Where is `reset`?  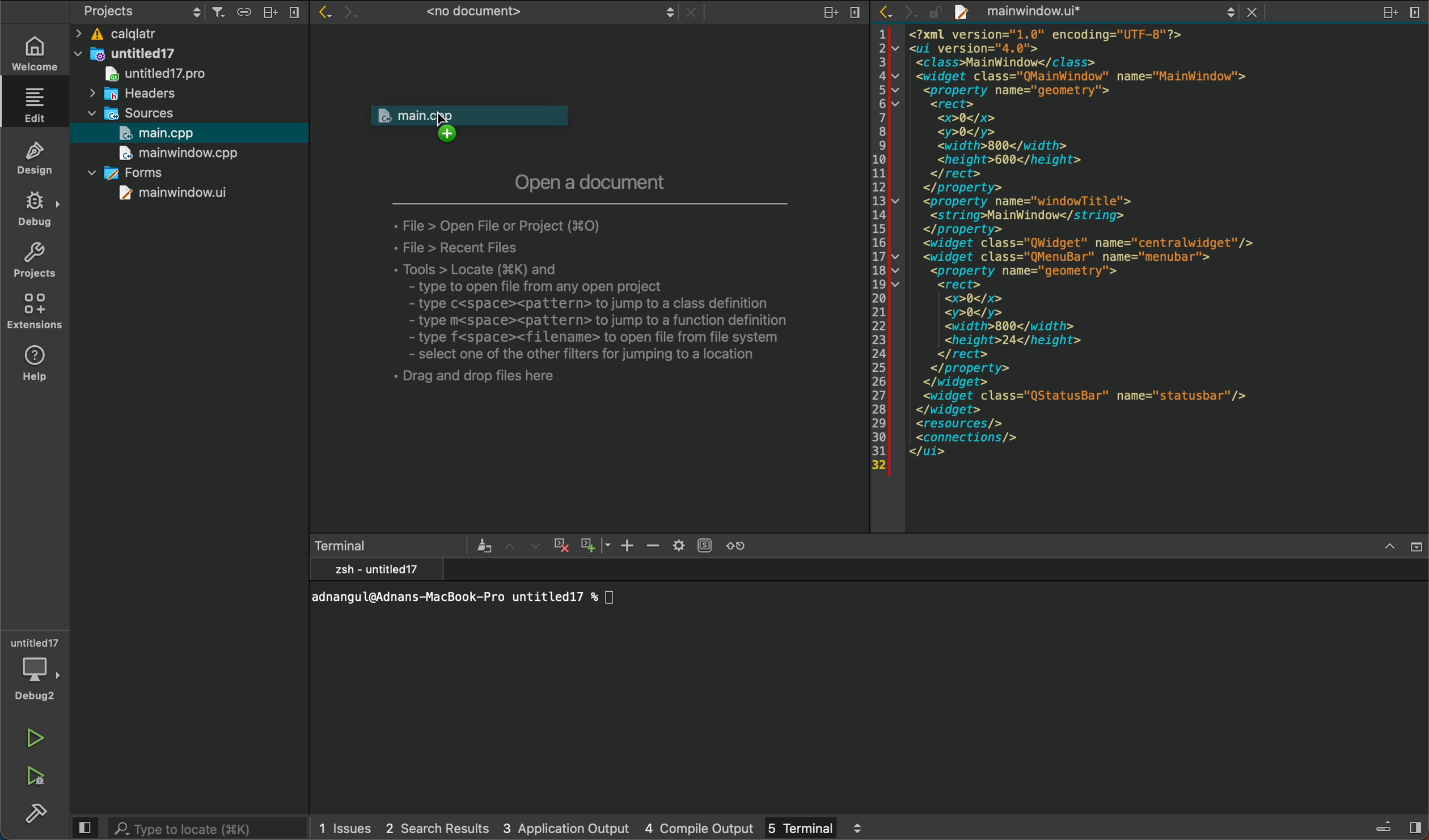 reset is located at coordinates (745, 545).